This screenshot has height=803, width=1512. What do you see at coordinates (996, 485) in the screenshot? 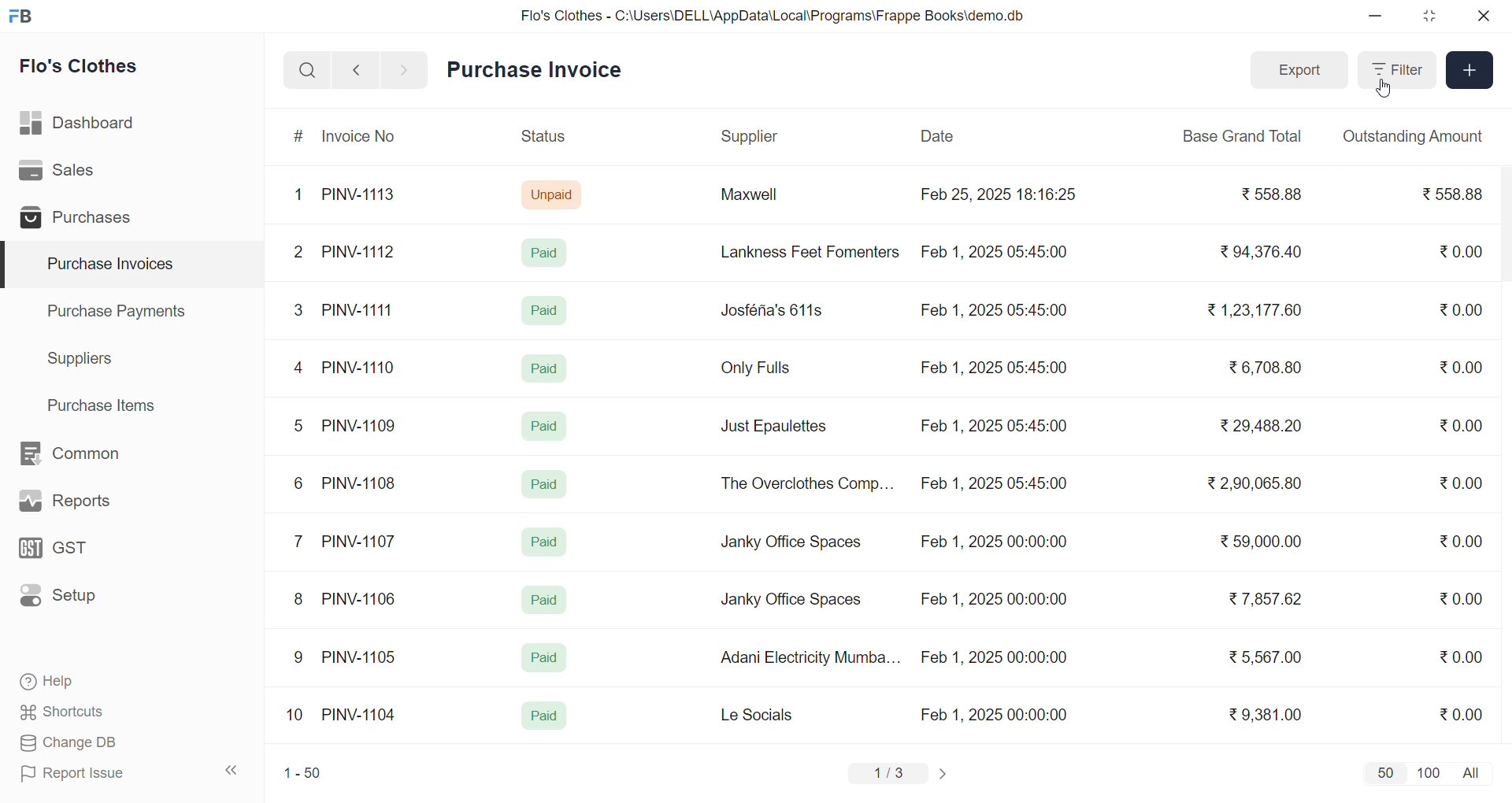
I see `Feb 1, 2025 05:45:00` at bounding box center [996, 485].